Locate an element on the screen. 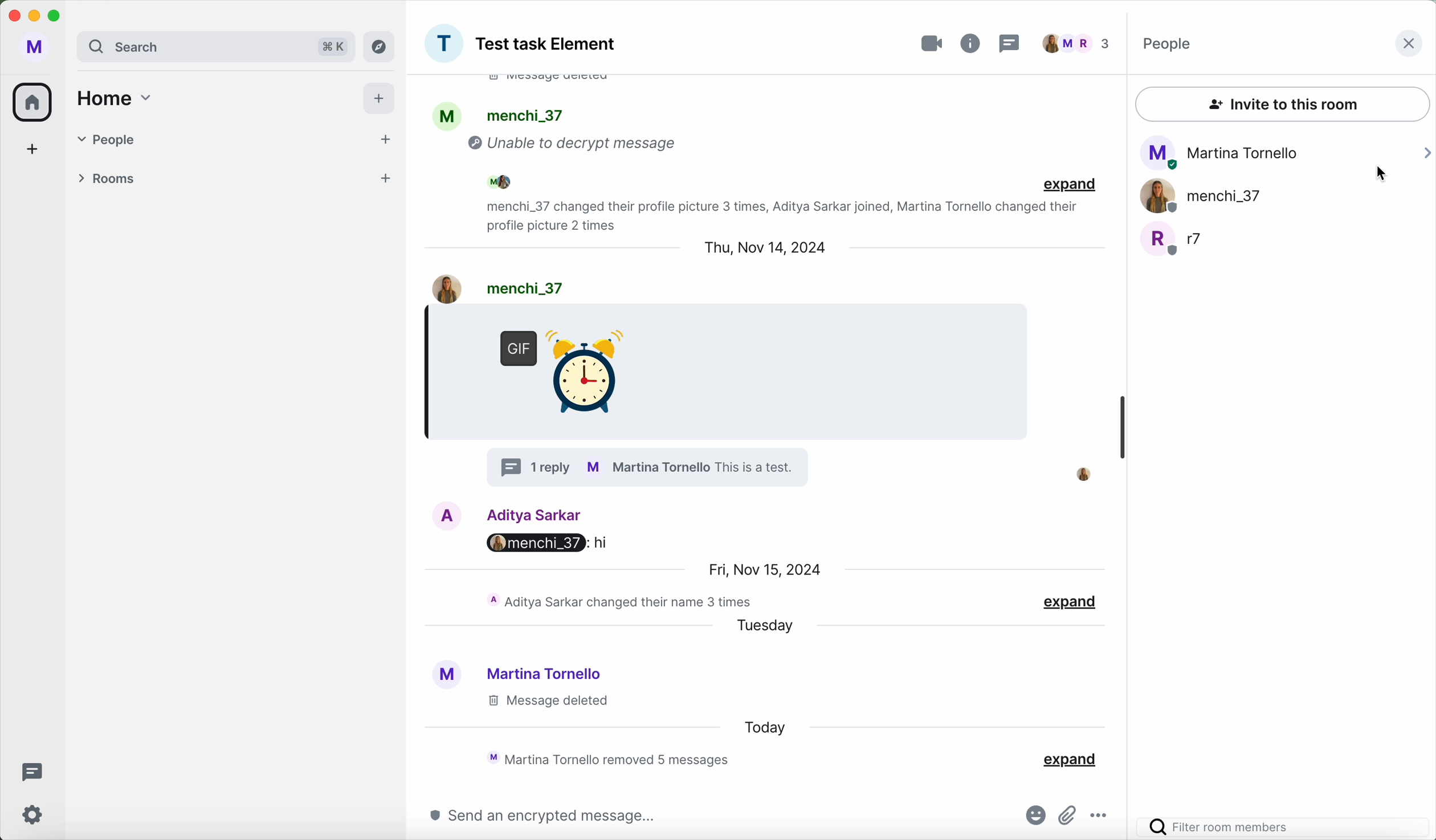 Image resolution: width=1436 pixels, height=840 pixels. menchi_37: hi is located at coordinates (533, 543).